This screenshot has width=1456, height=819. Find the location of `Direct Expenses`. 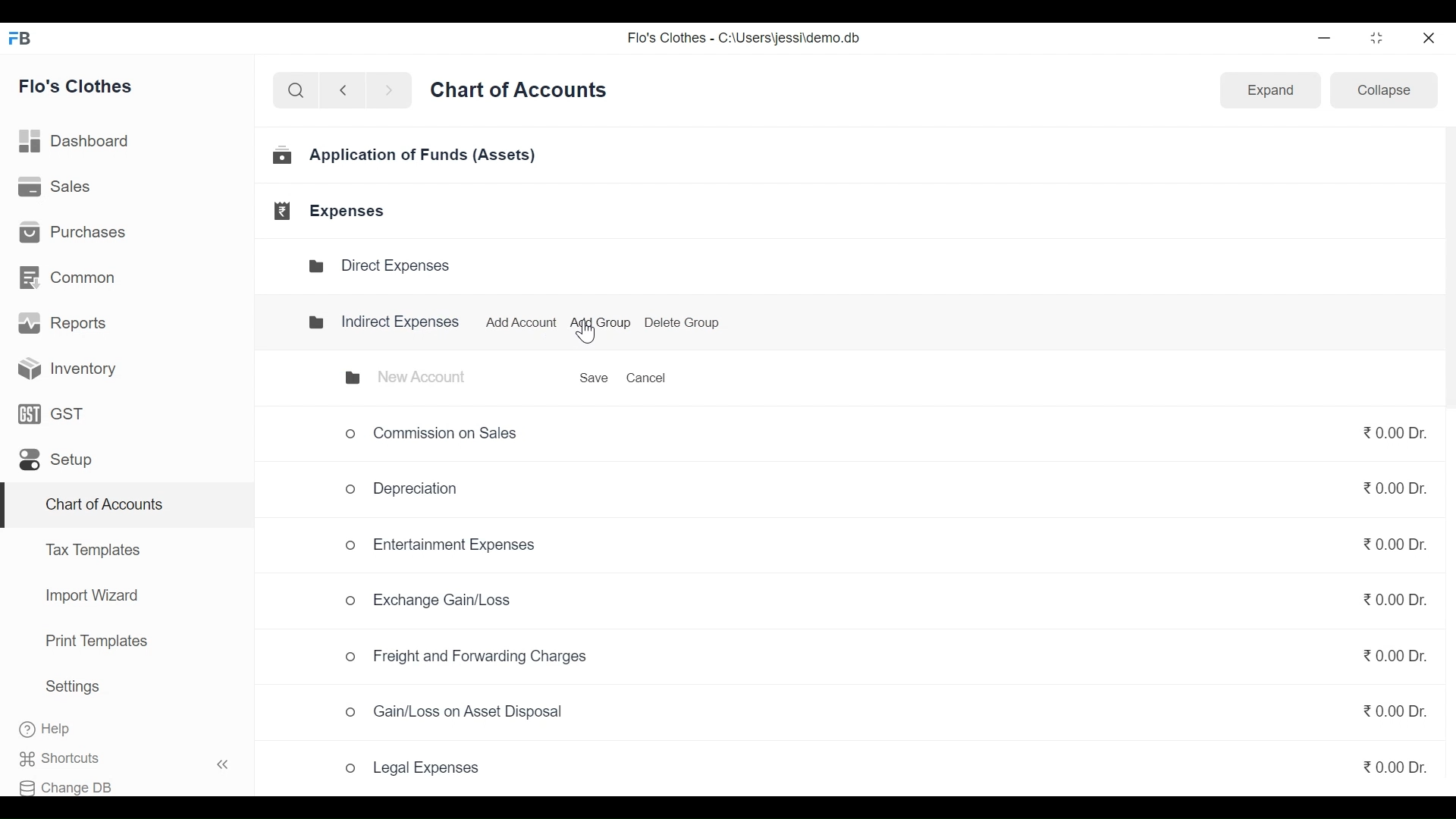

Direct Expenses is located at coordinates (387, 266).